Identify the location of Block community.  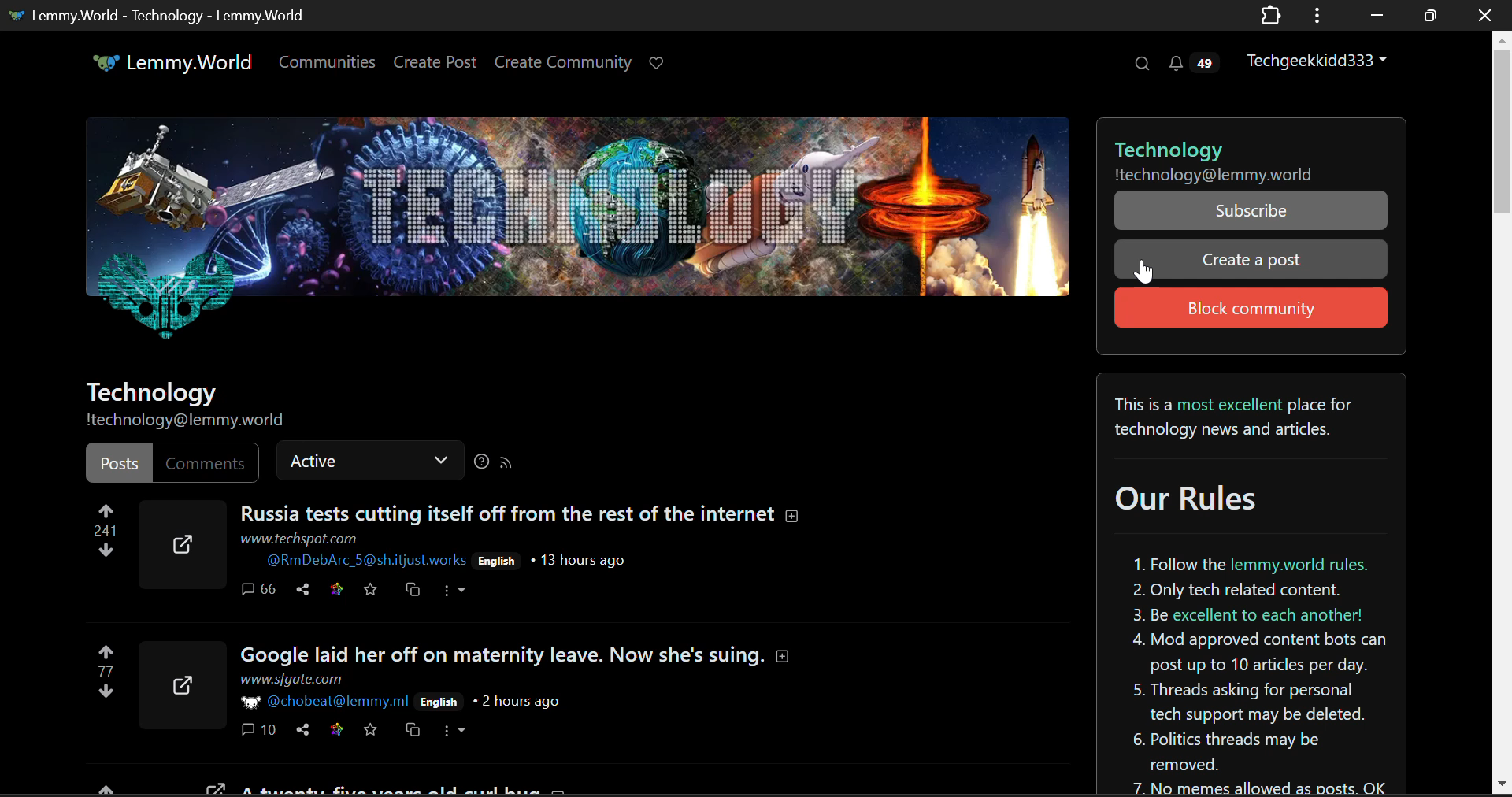
(1251, 307).